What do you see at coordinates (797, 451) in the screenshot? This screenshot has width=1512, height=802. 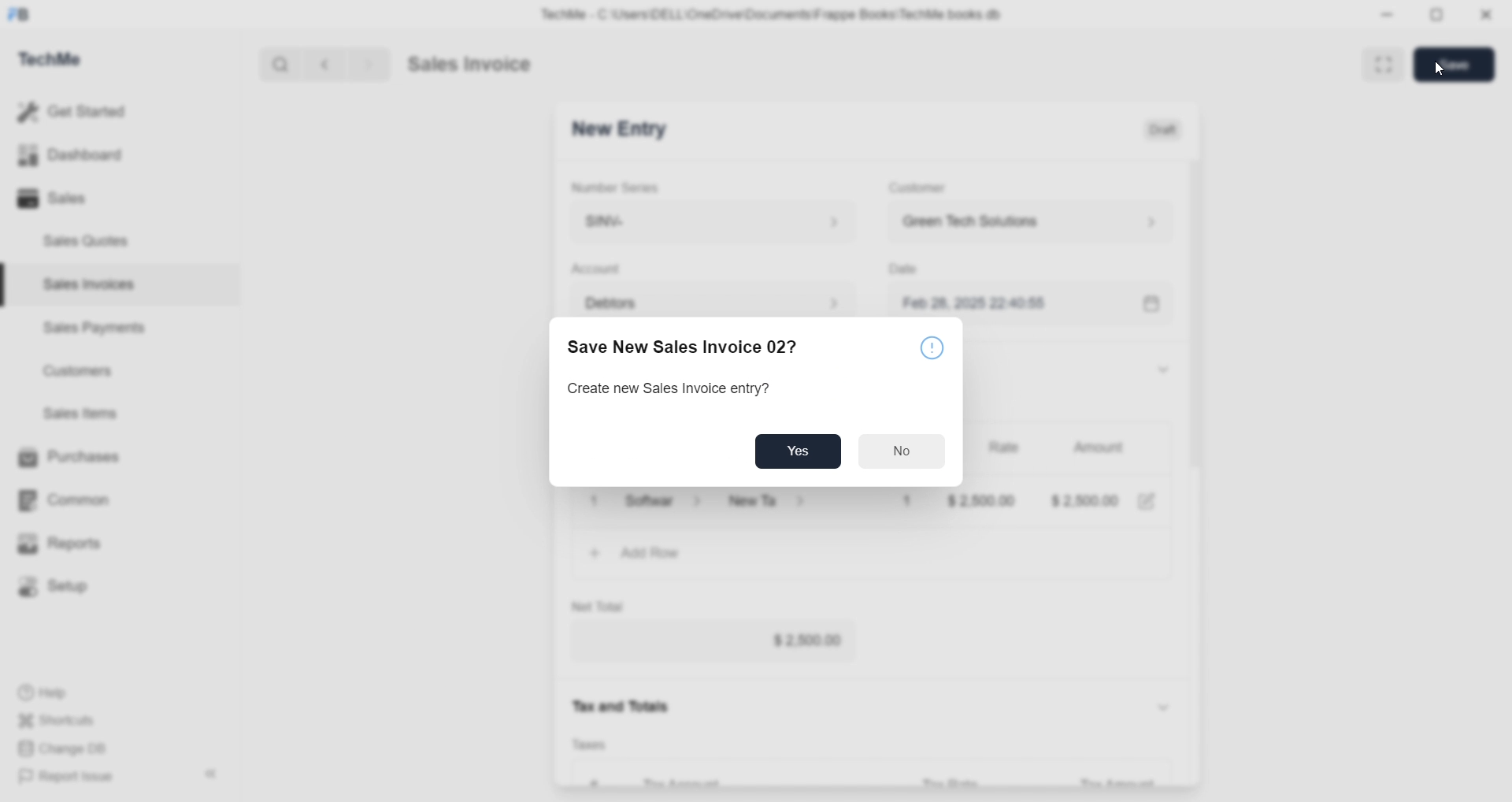 I see `Yes` at bounding box center [797, 451].